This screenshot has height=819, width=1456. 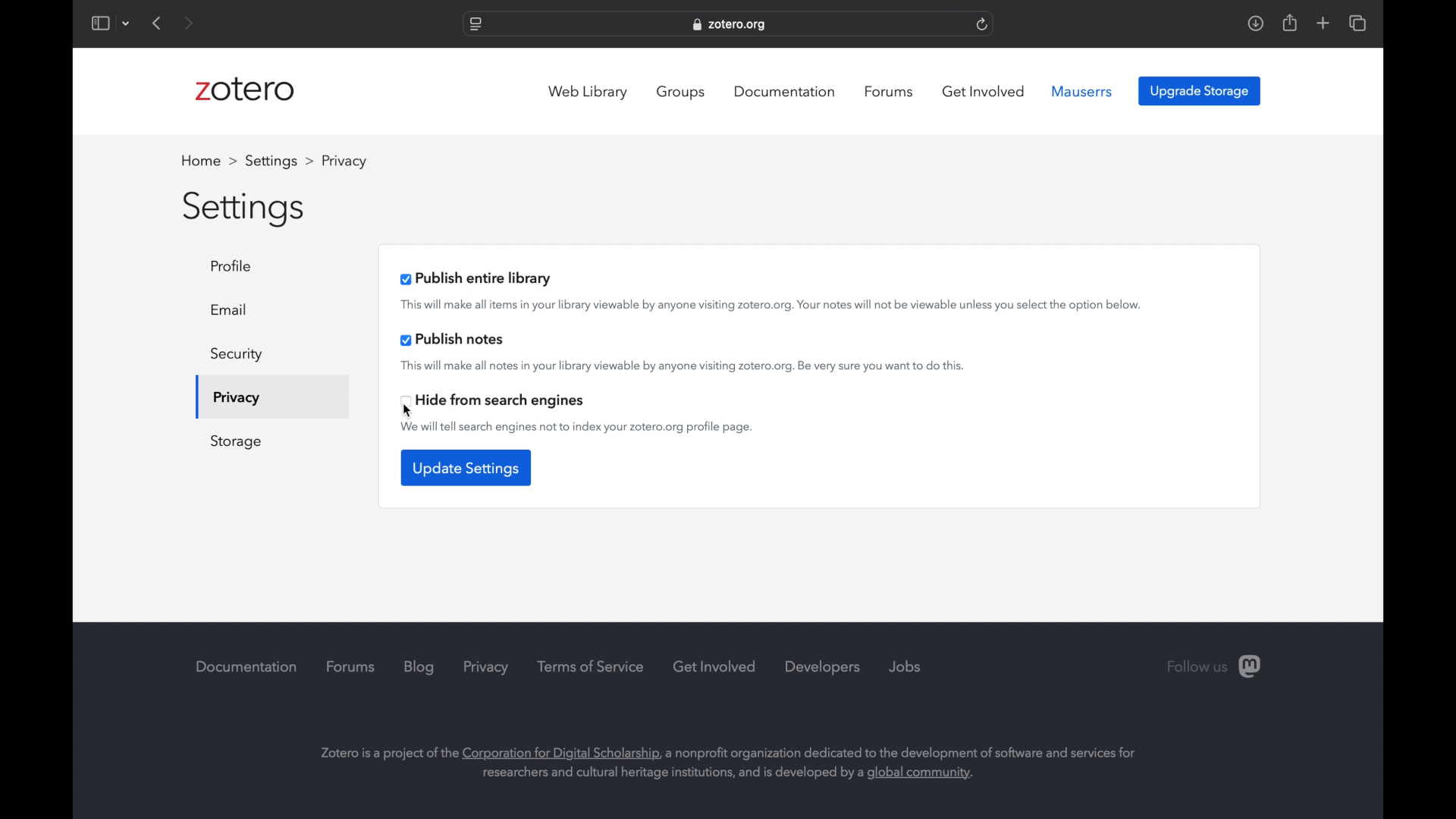 What do you see at coordinates (1288, 23) in the screenshot?
I see `share` at bounding box center [1288, 23].